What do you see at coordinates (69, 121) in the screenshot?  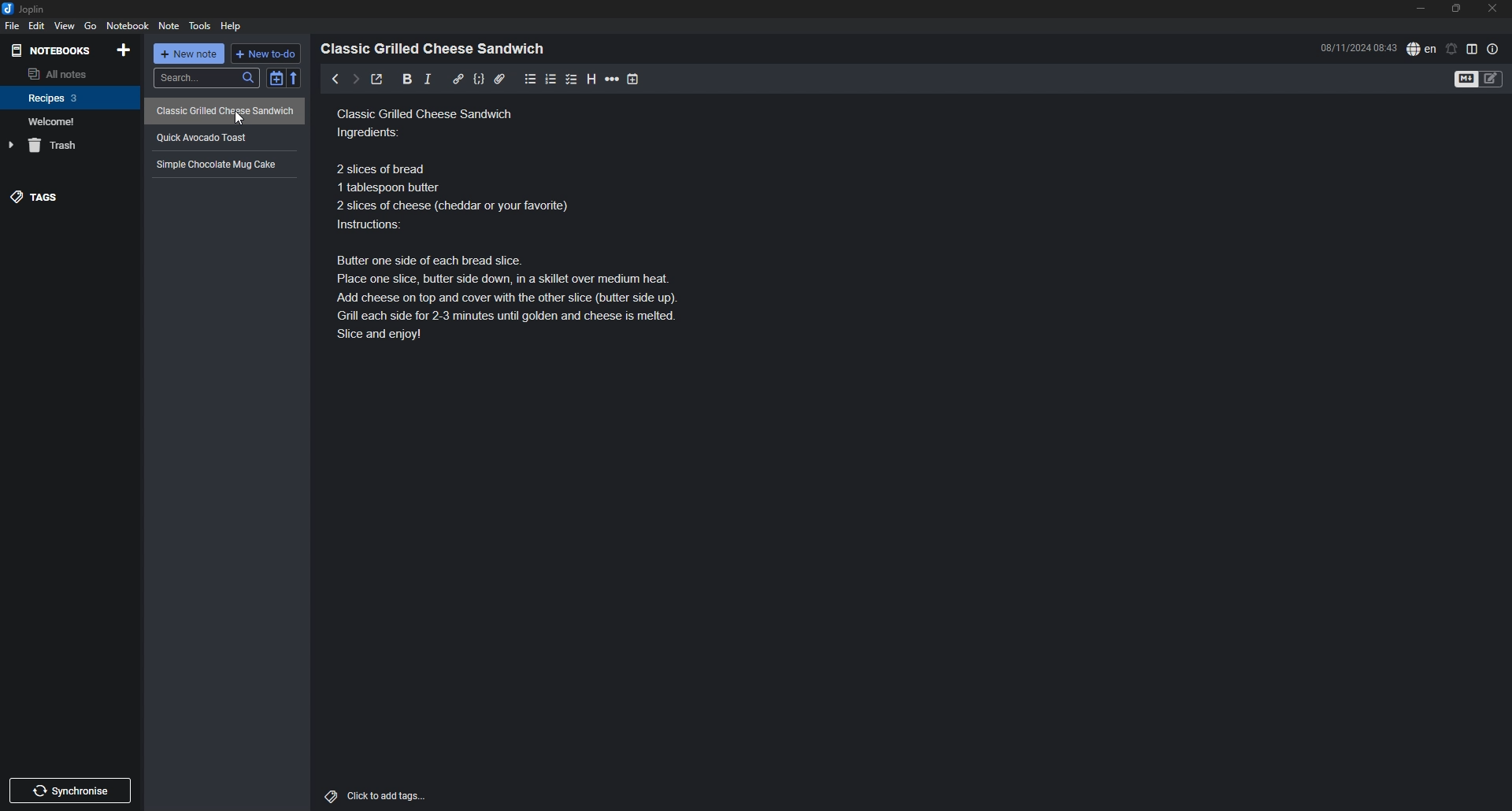 I see `notebook` at bounding box center [69, 121].